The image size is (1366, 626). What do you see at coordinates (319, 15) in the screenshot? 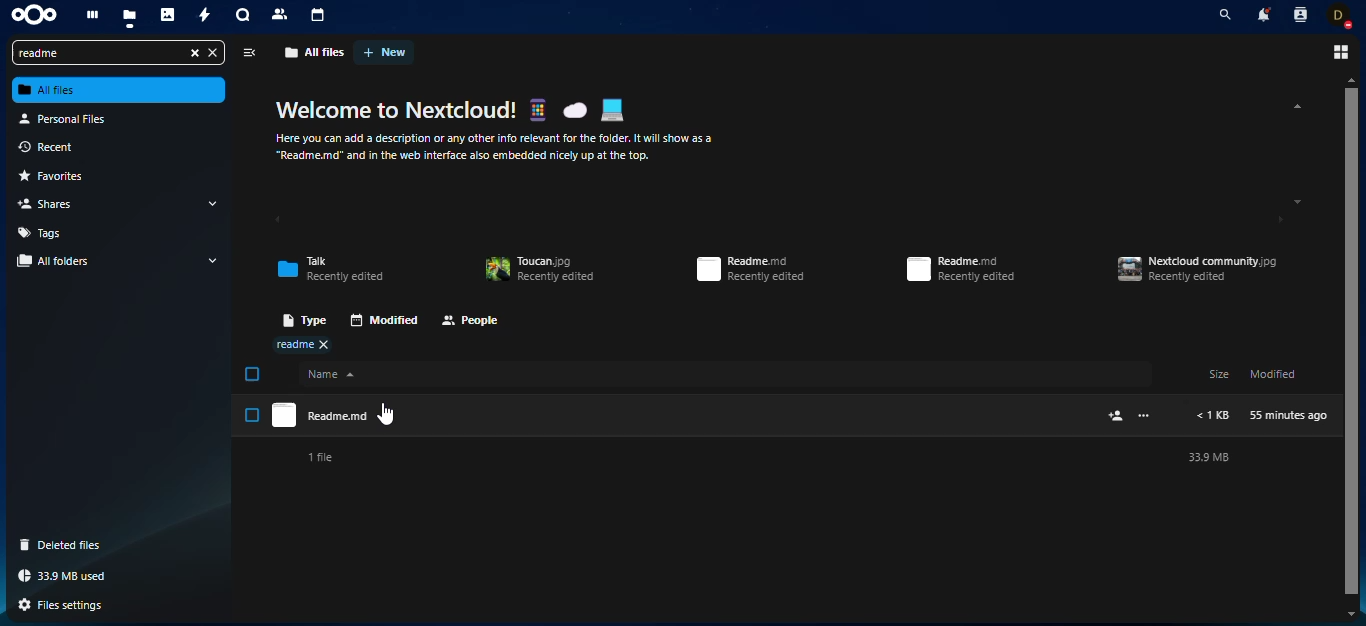
I see `calendar` at bounding box center [319, 15].